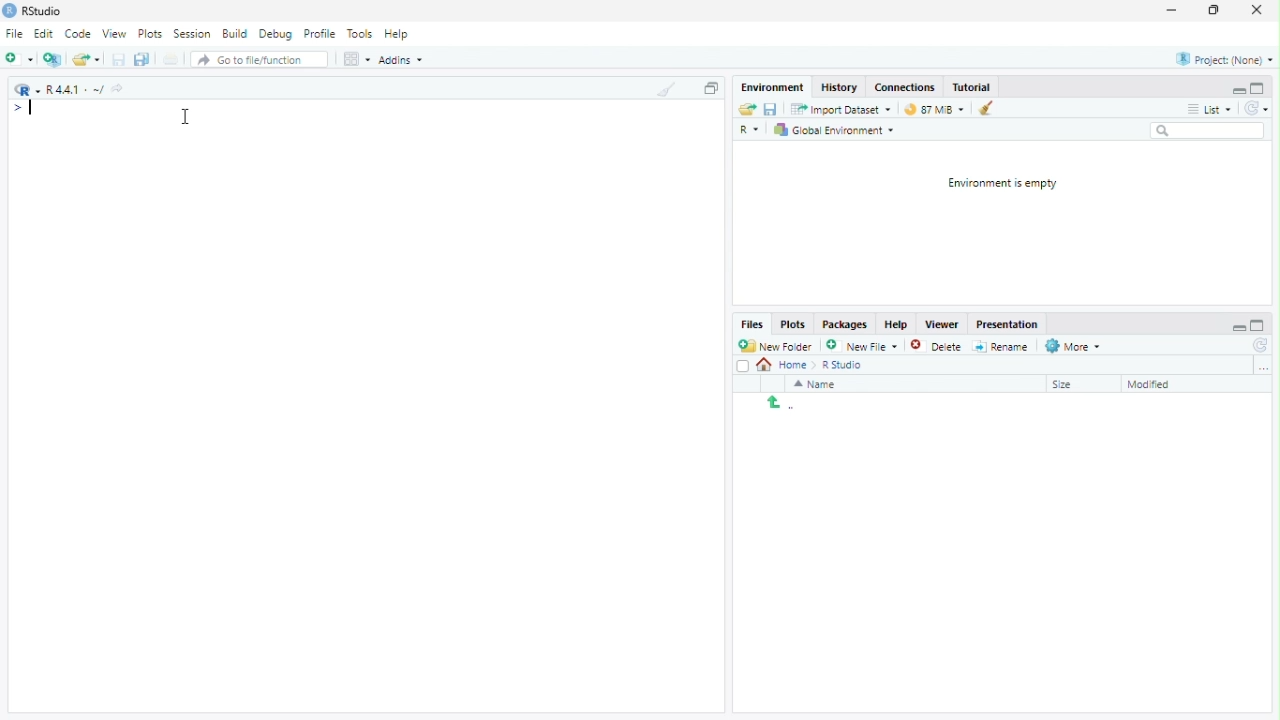 The width and height of the screenshot is (1280, 720). What do you see at coordinates (1257, 88) in the screenshot?
I see `Maximize` at bounding box center [1257, 88].